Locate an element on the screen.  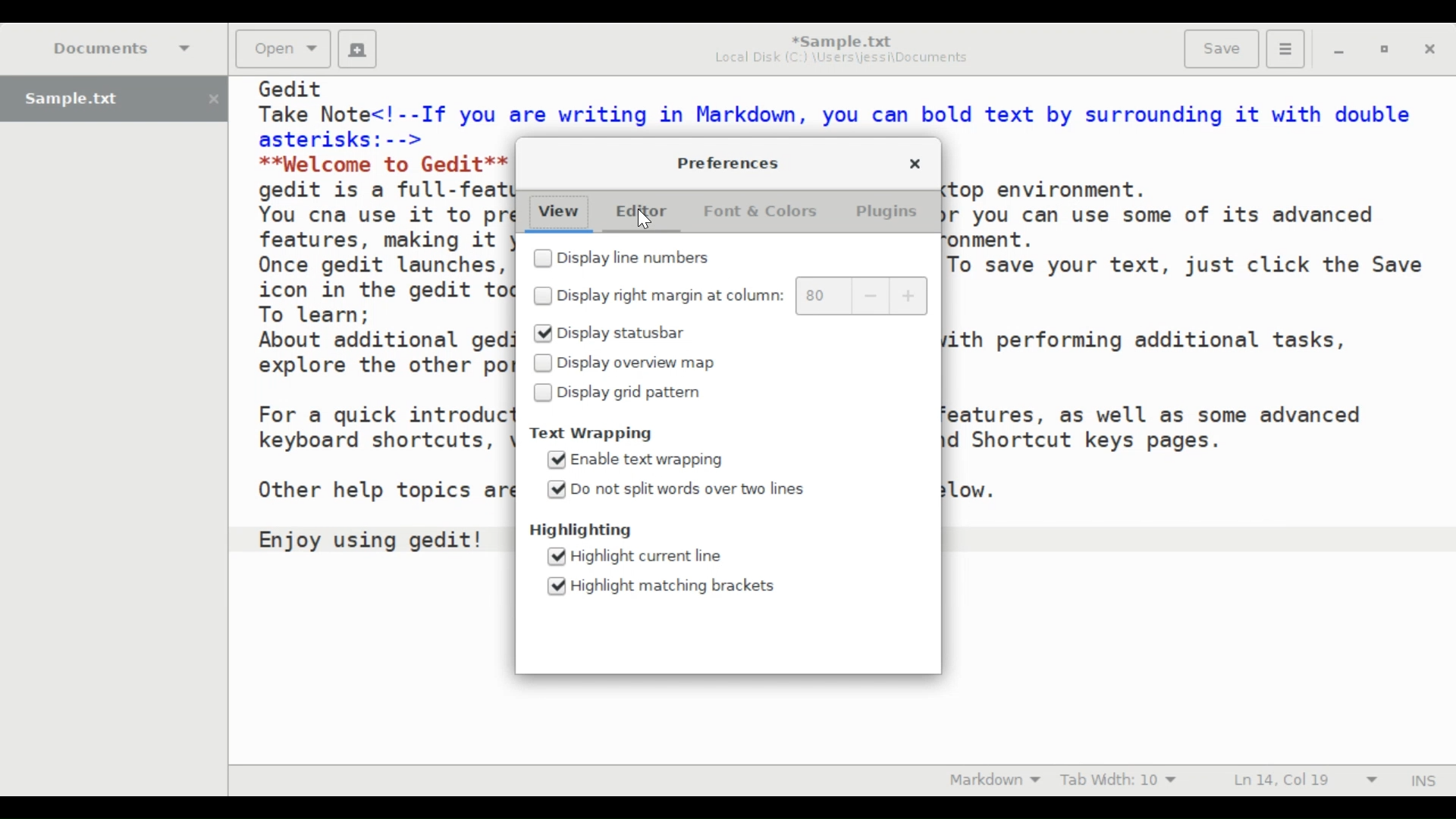
Close is located at coordinates (915, 165).